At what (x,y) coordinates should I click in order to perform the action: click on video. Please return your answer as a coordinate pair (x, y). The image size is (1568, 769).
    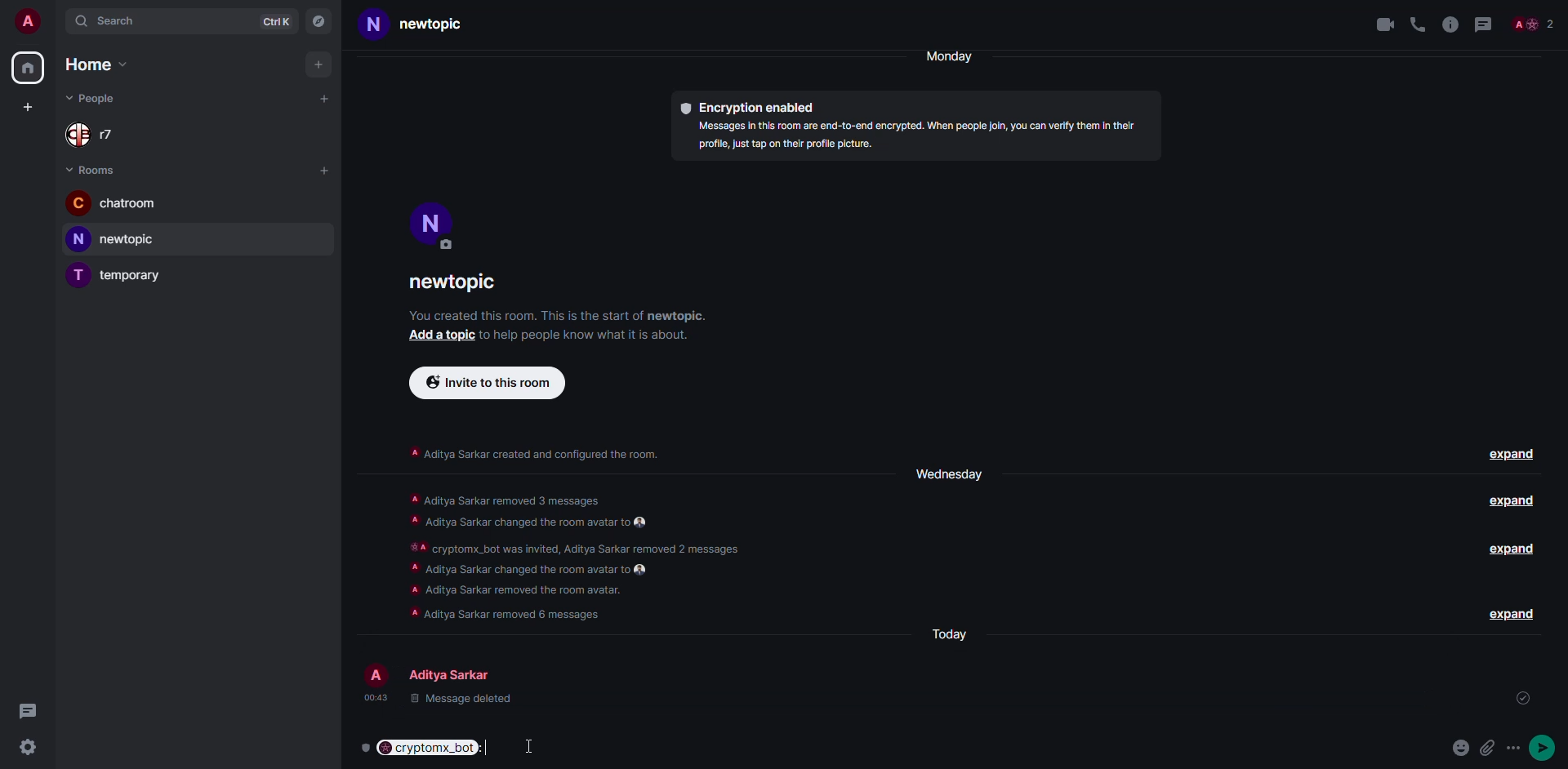
    Looking at the image, I should click on (1379, 24).